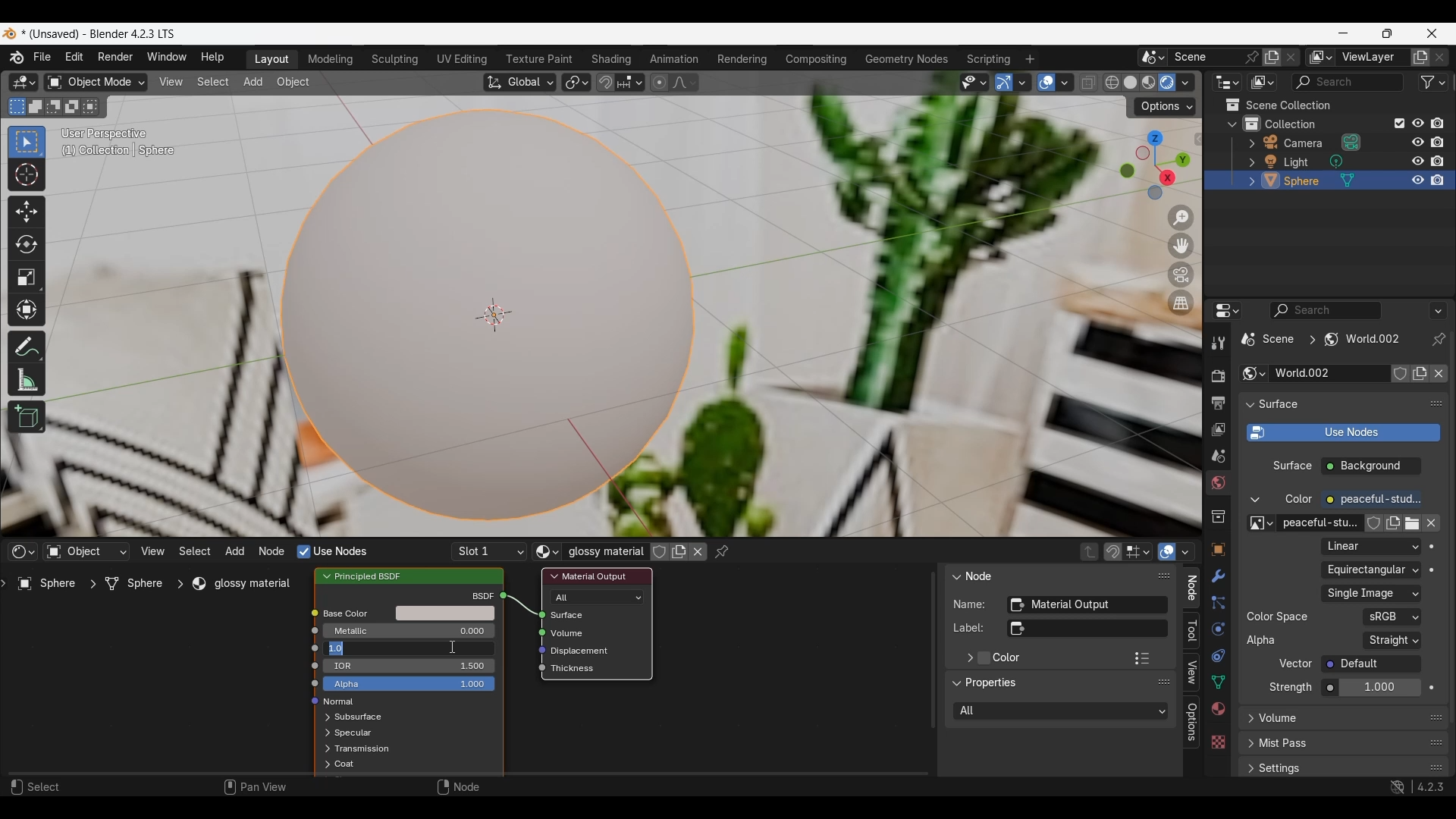 This screenshot has height=819, width=1456. What do you see at coordinates (679, 551) in the screenshot?
I see `Add new material` at bounding box center [679, 551].